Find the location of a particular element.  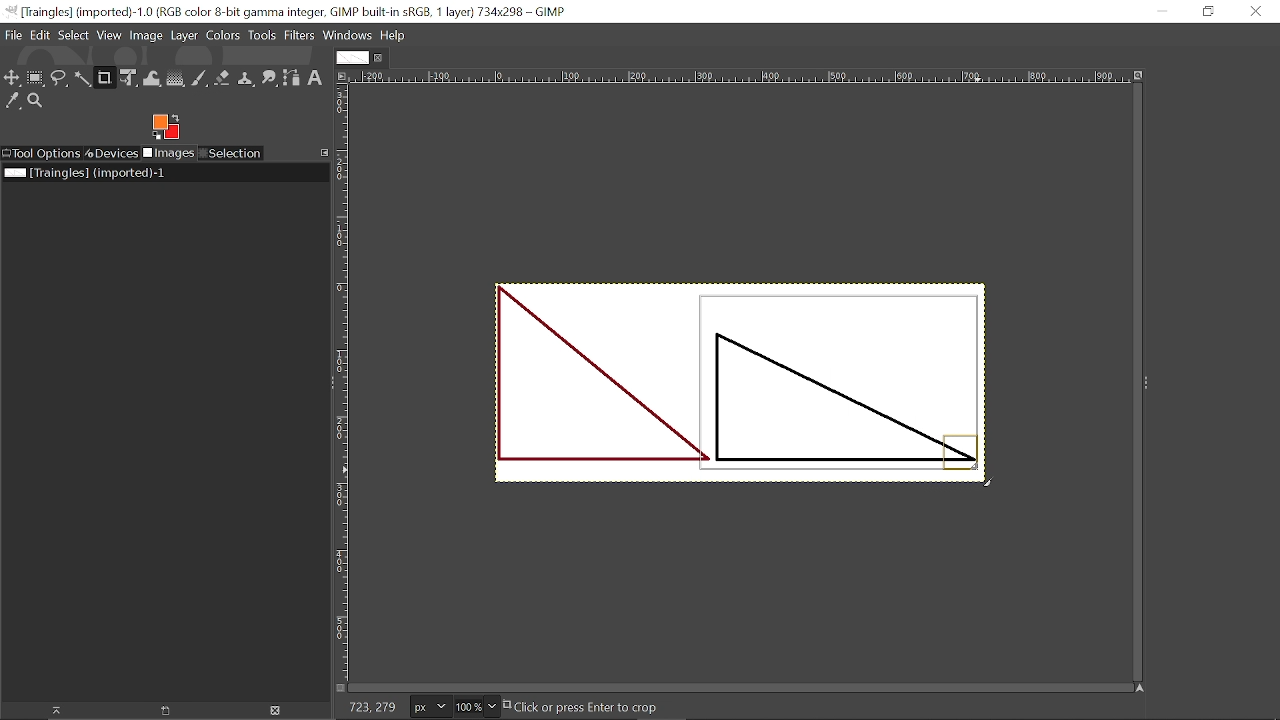

Raise this image display is located at coordinates (54, 710).